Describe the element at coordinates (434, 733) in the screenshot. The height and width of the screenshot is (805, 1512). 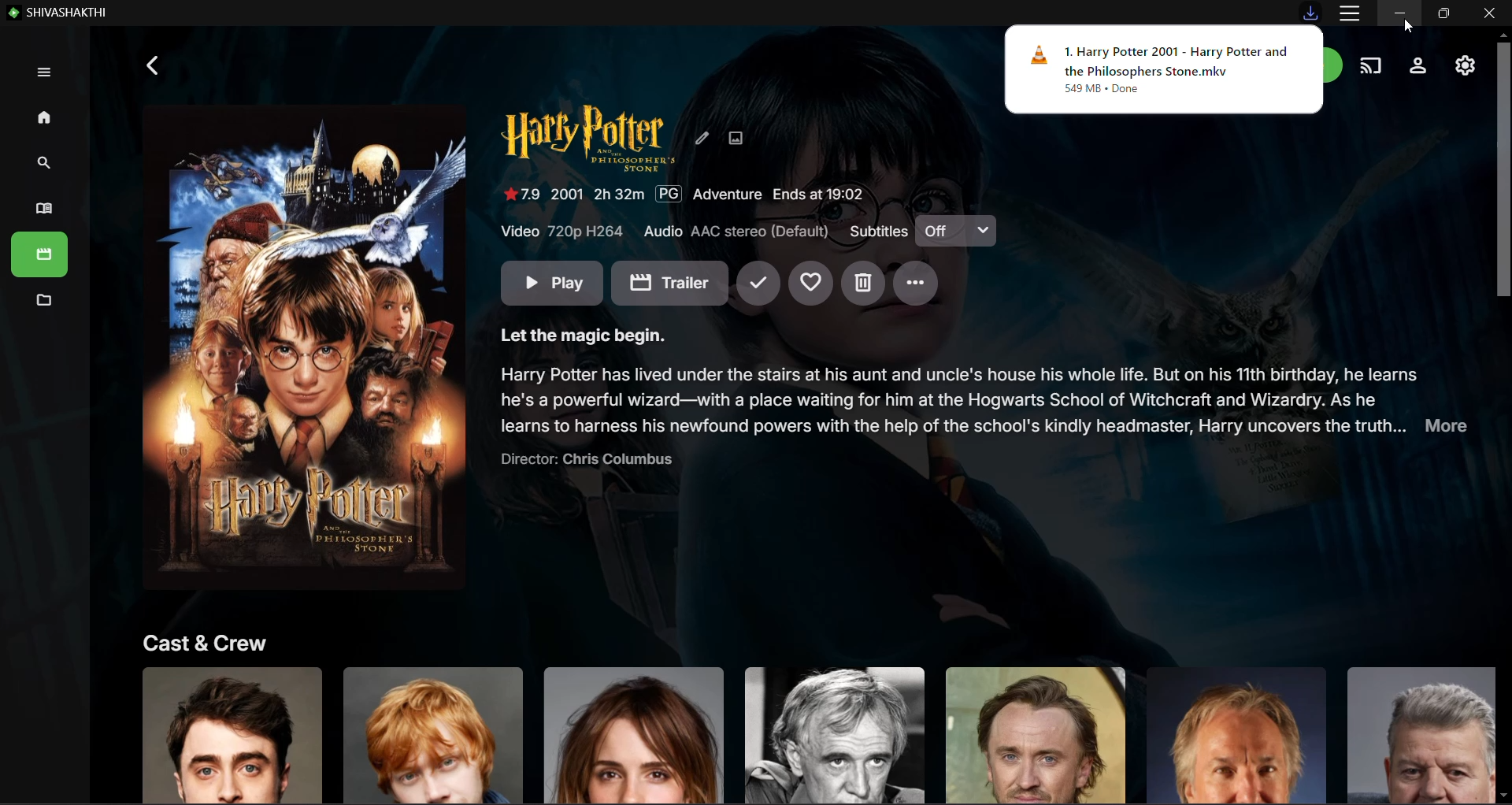
I see `Click to know more about actor` at that location.